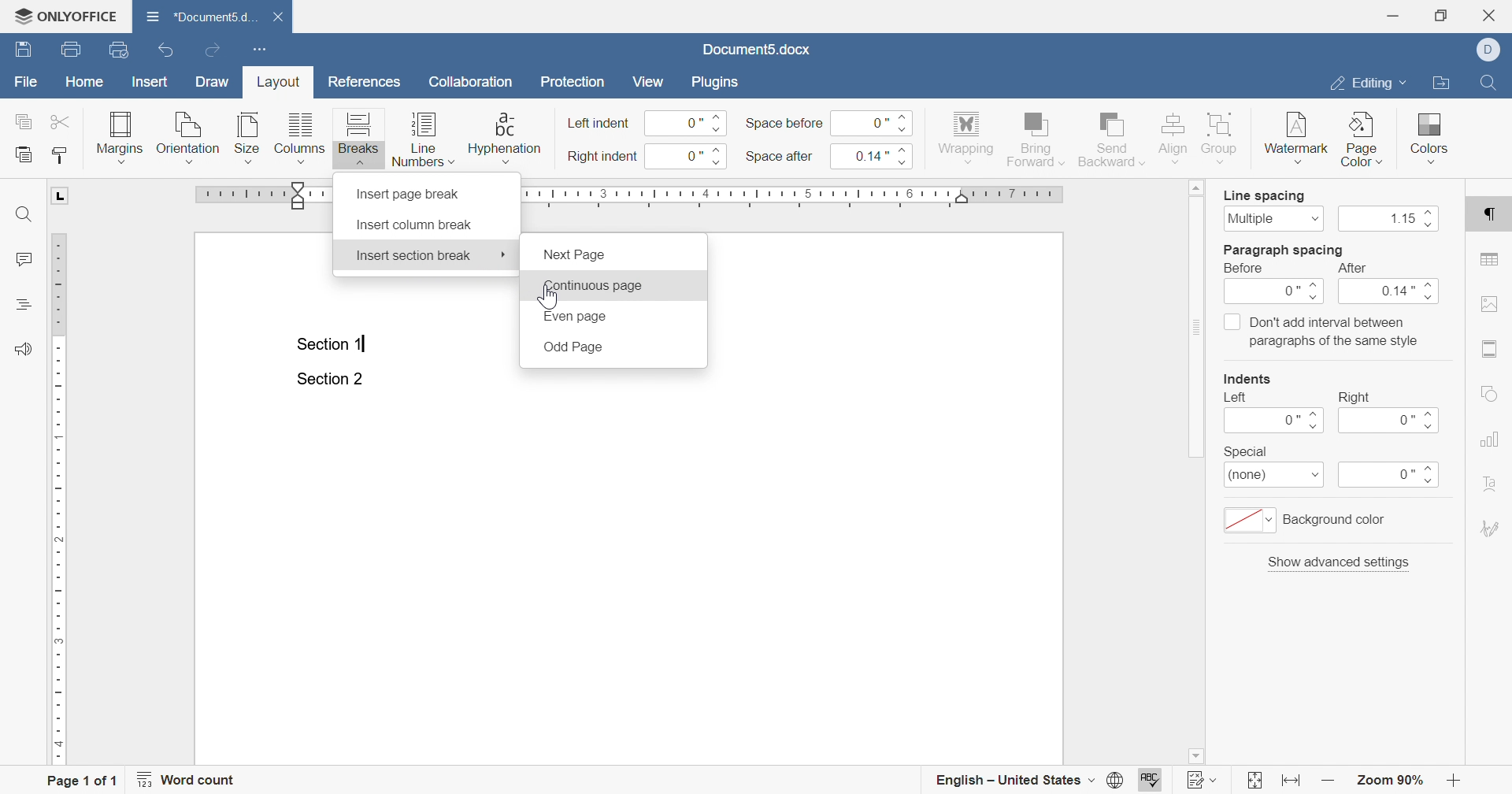 The image size is (1512, 794). What do you see at coordinates (1340, 562) in the screenshot?
I see `show advanced settings` at bounding box center [1340, 562].